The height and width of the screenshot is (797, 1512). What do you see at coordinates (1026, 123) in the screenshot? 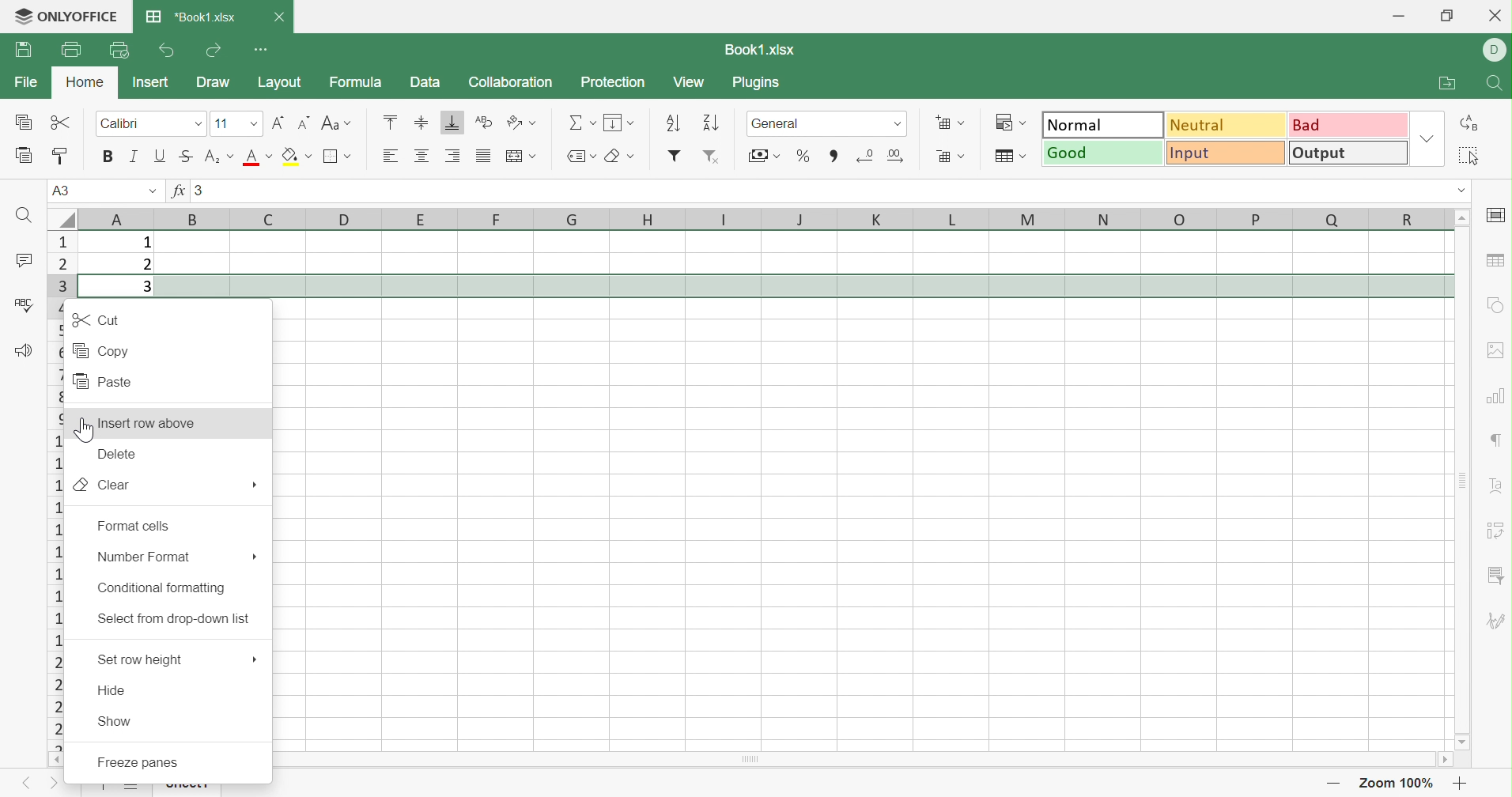
I see `Drop Down` at bounding box center [1026, 123].